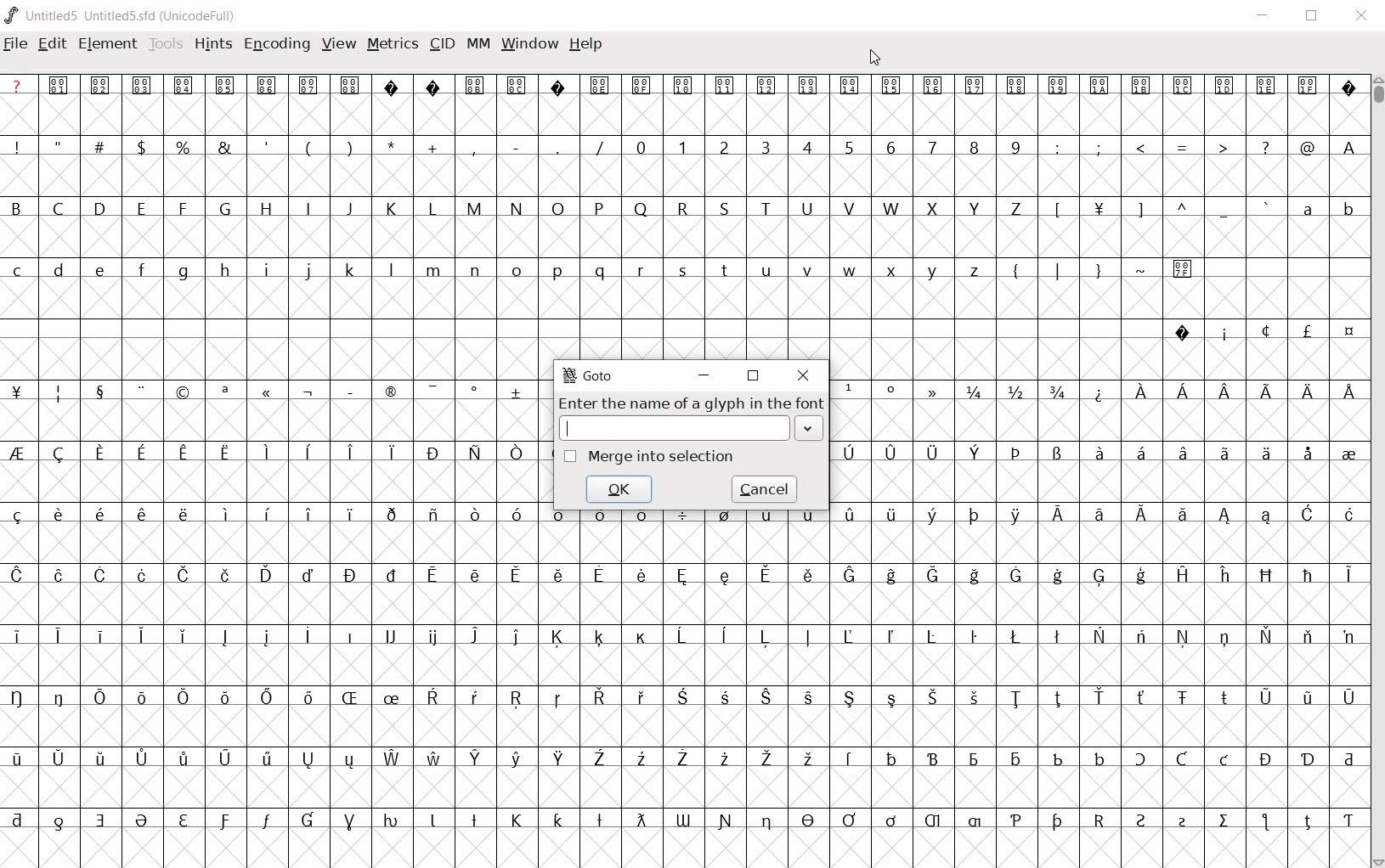 The width and height of the screenshot is (1385, 868). I want to click on -, so click(516, 146).